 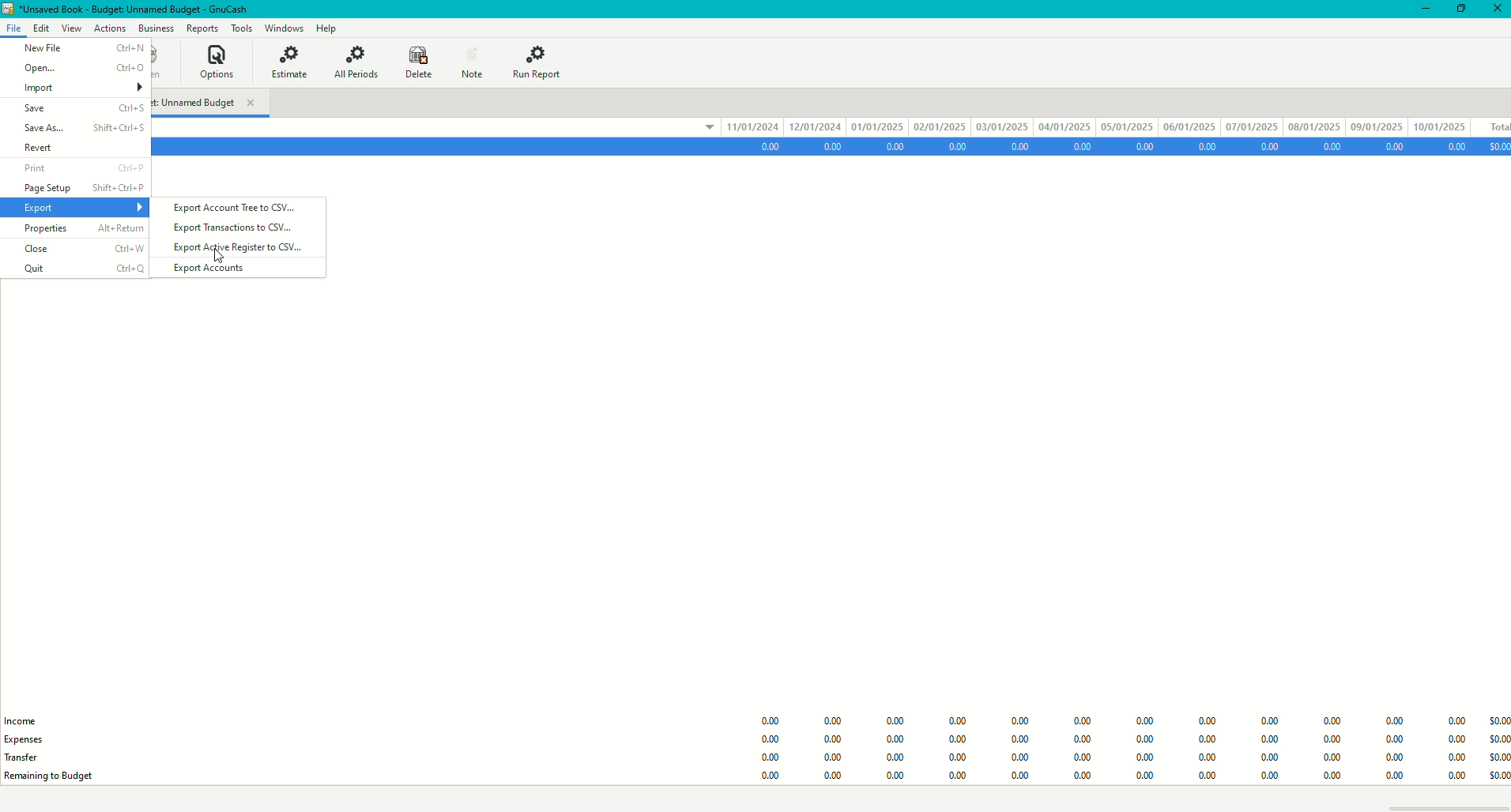 I want to click on Note, so click(x=473, y=60).